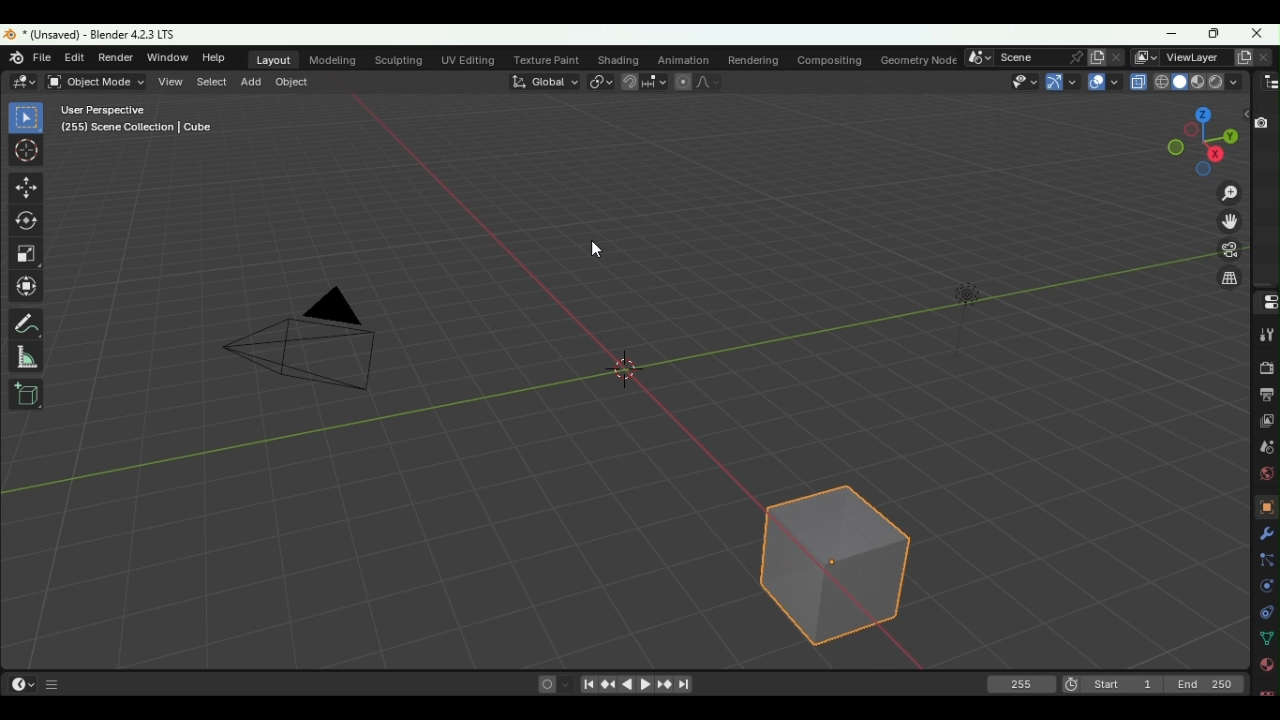 The width and height of the screenshot is (1280, 720). I want to click on Rotate the view, so click(1171, 147).